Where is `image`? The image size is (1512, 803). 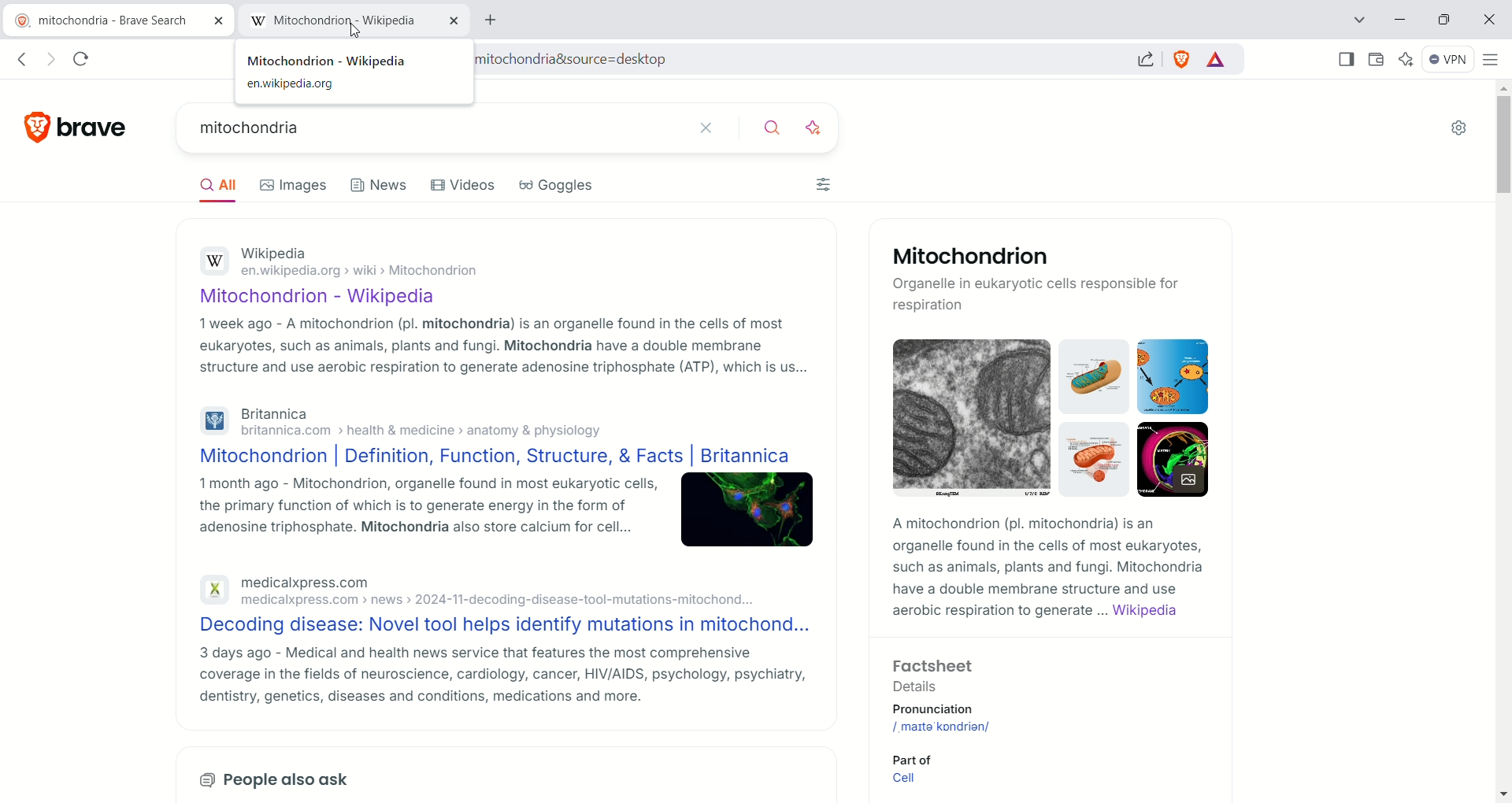
image is located at coordinates (747, 510).